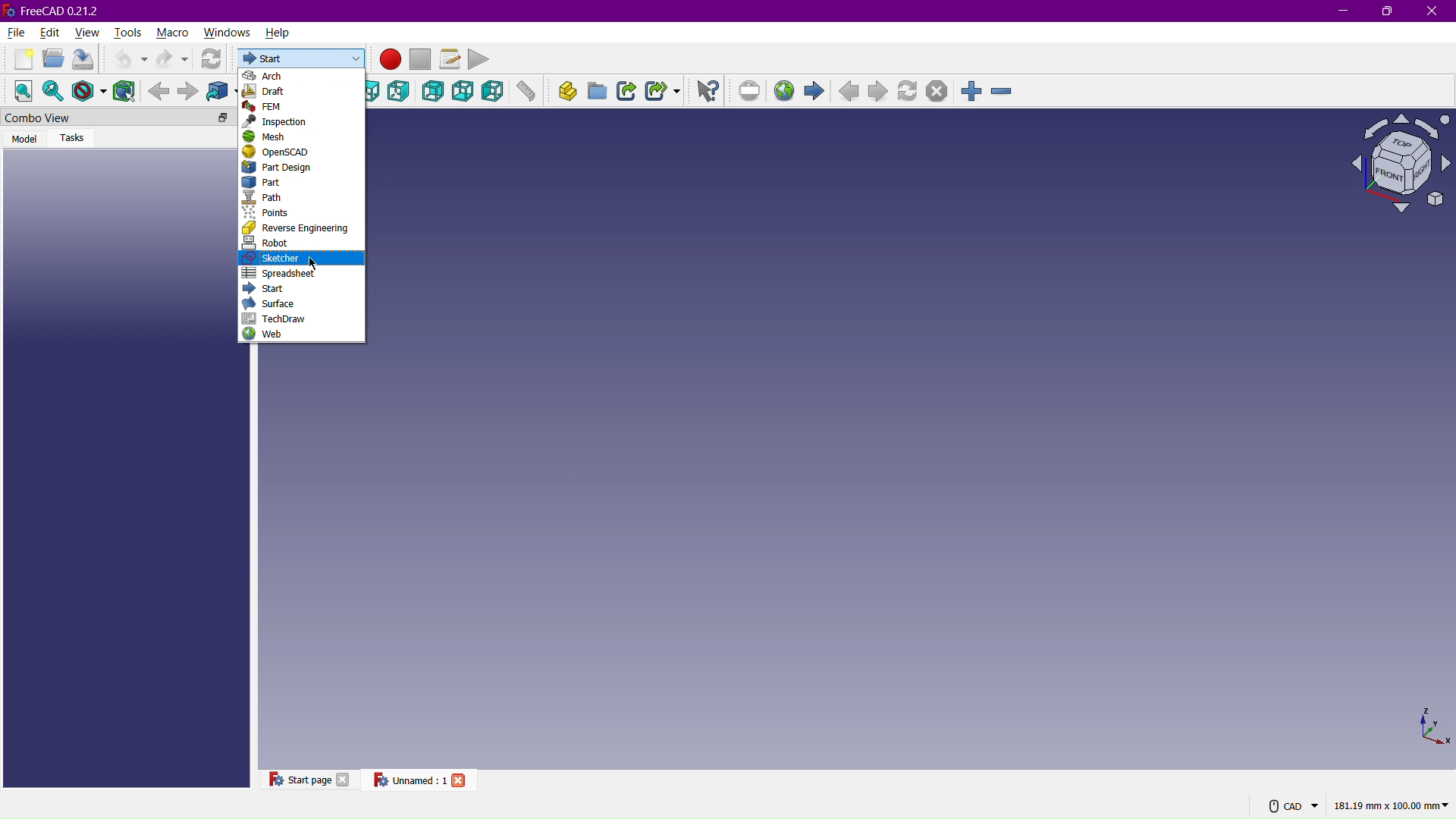 This screenshot has height=819, width=1456. Describe the element at coordinates (270, 215) in the screenshot. I see `Points` at that location.